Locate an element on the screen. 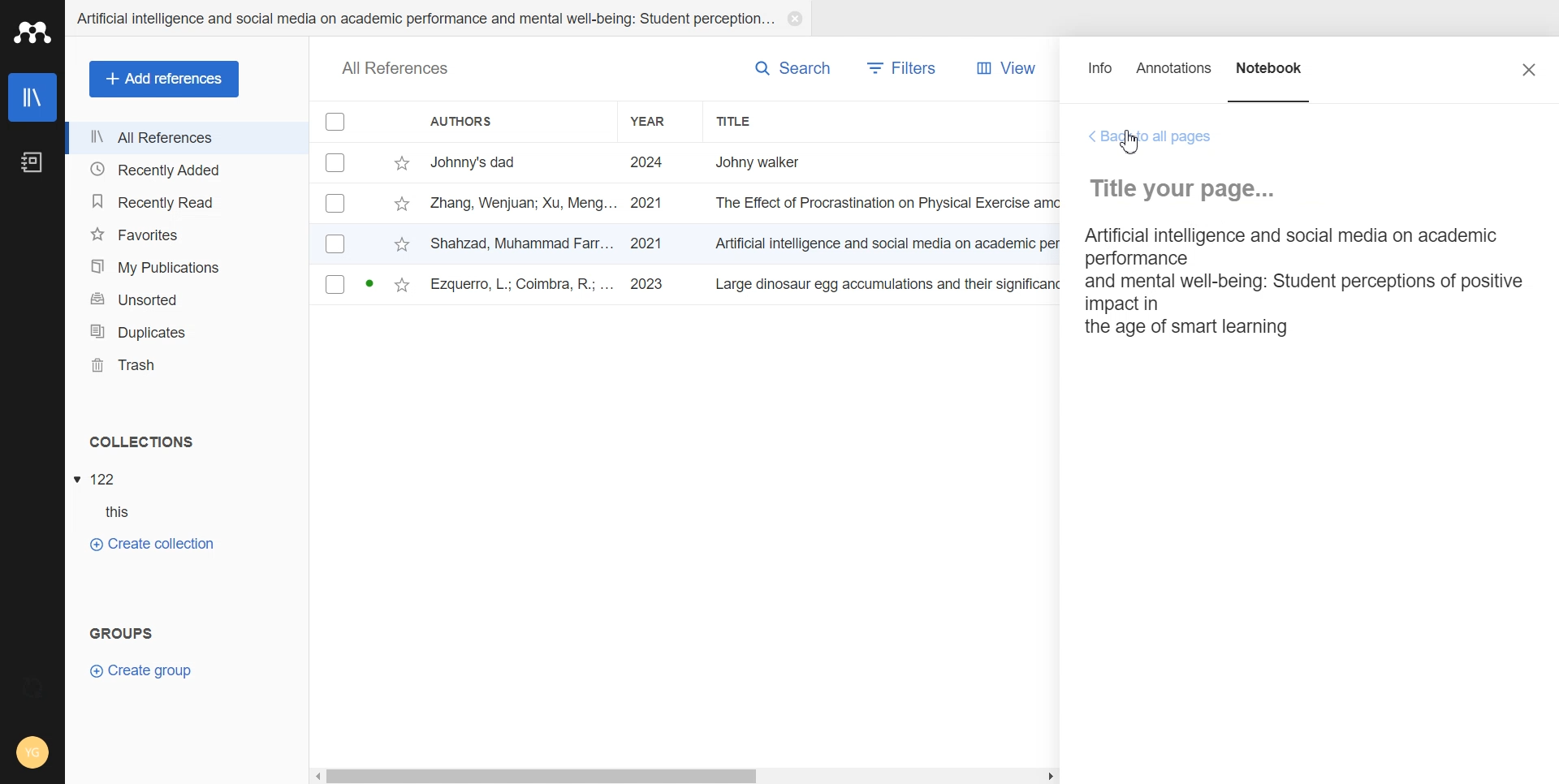 This screenshot has width=1559, height=784. Close is located at coordinates (1529, 69).